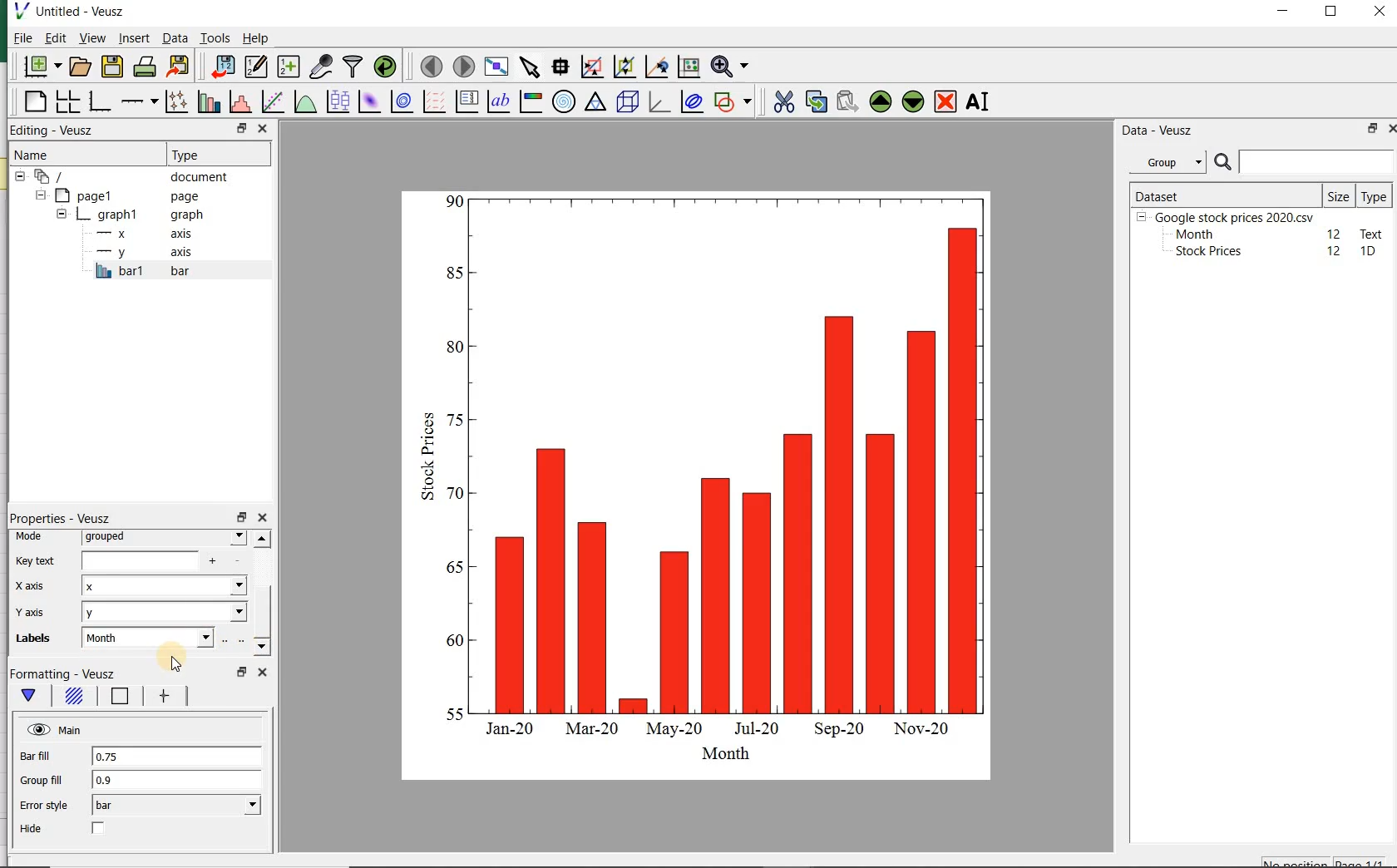 This screenshot has width=1397, height=868. What do you see at coordinates (559, 67) in the screenshot?
I see `read data points on the graph` at bounding box center [559, 67].